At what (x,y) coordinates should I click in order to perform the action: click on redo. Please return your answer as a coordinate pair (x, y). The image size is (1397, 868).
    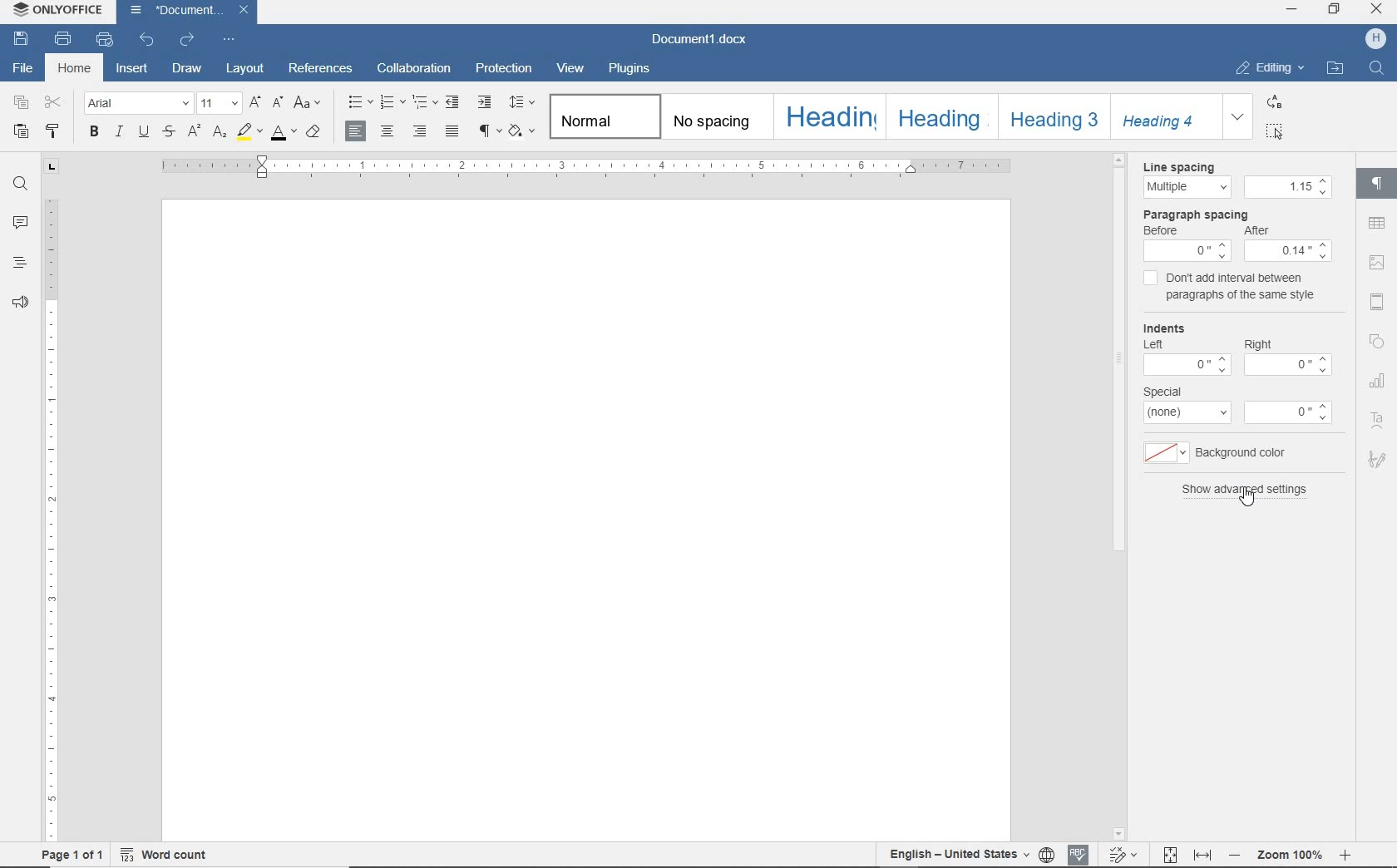
    Looking at the image, I should click on (188, 40).